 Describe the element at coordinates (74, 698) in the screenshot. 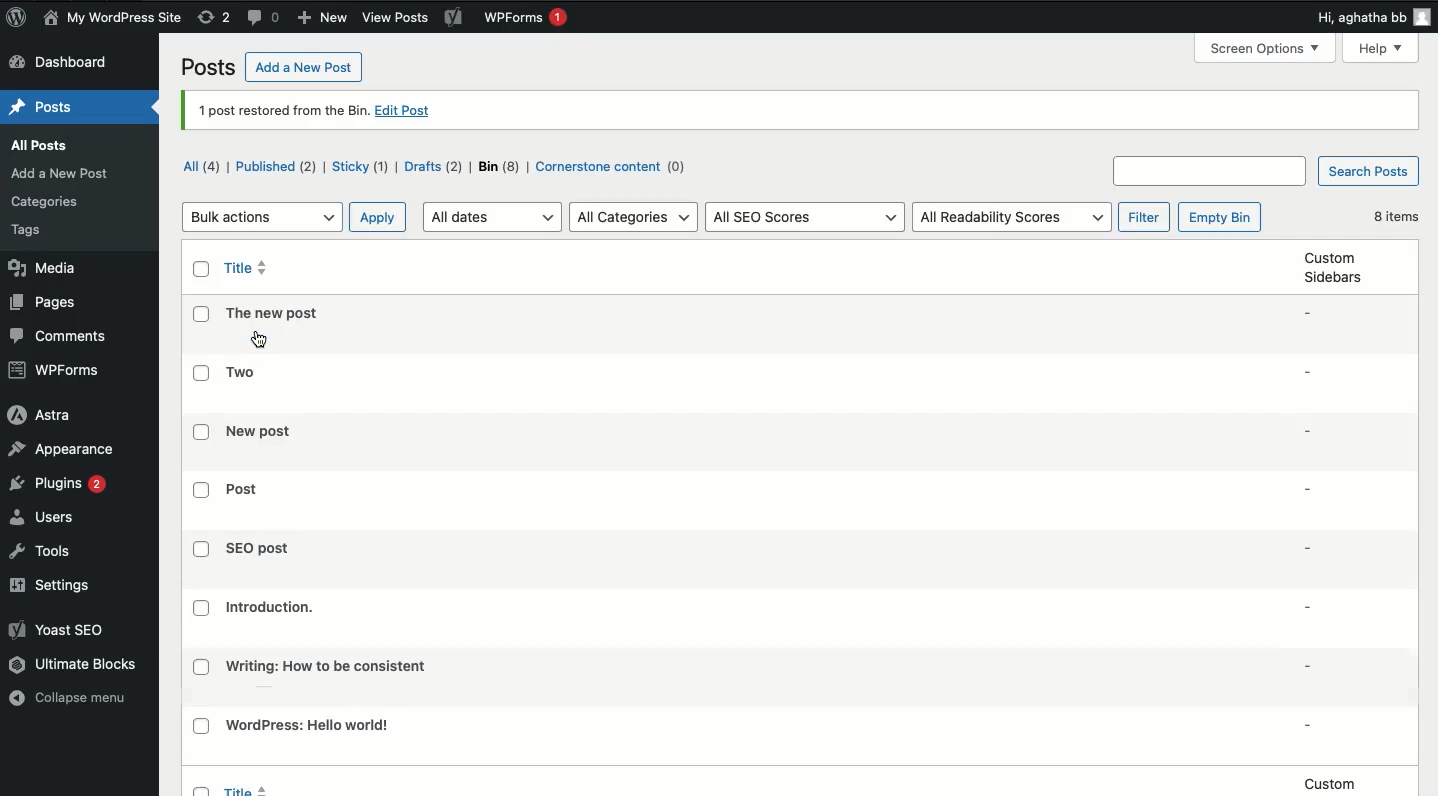

I see `Collapse menu` at that location.